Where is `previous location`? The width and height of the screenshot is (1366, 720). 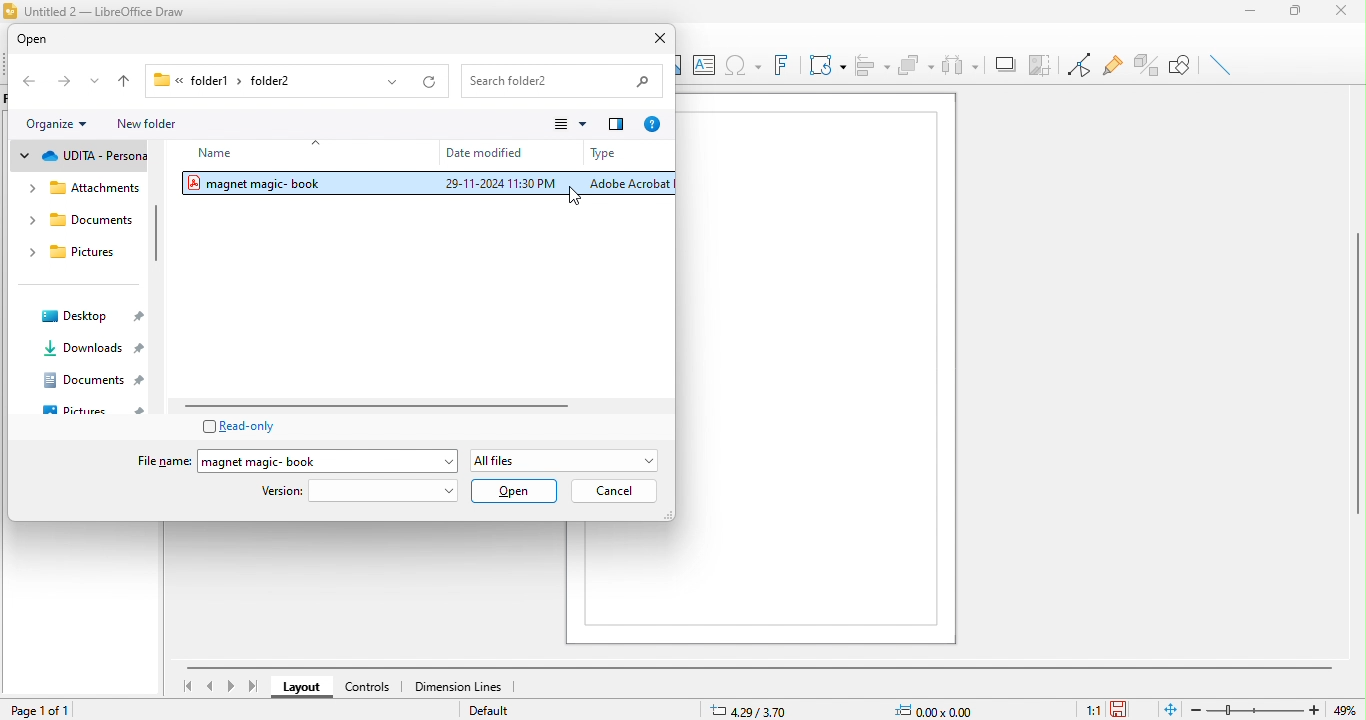 previous location is located at coordinates (386, 82).